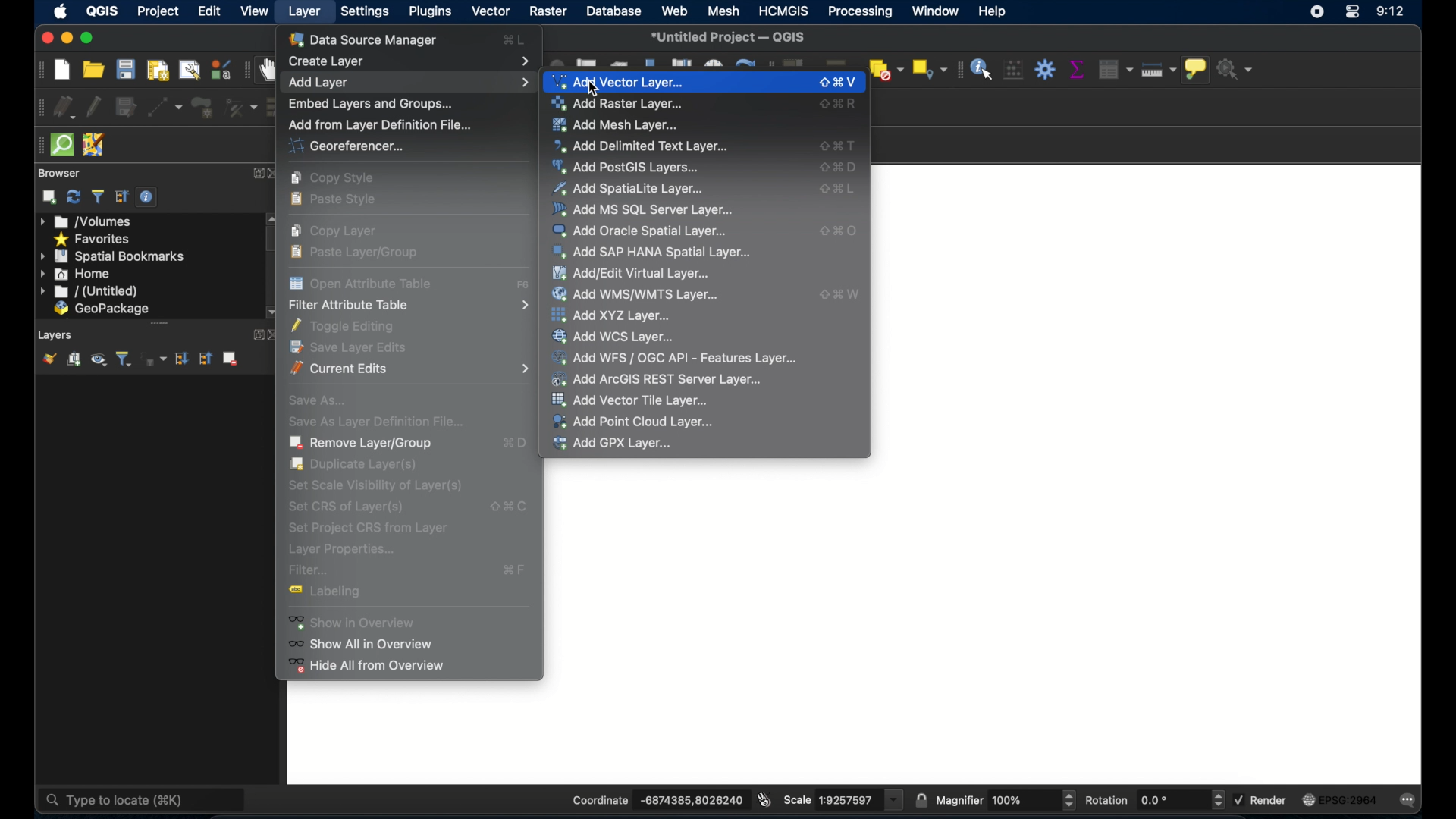 The width and height of the screenshot is (1456, 819). I want to click on edit, so click(210, 11).